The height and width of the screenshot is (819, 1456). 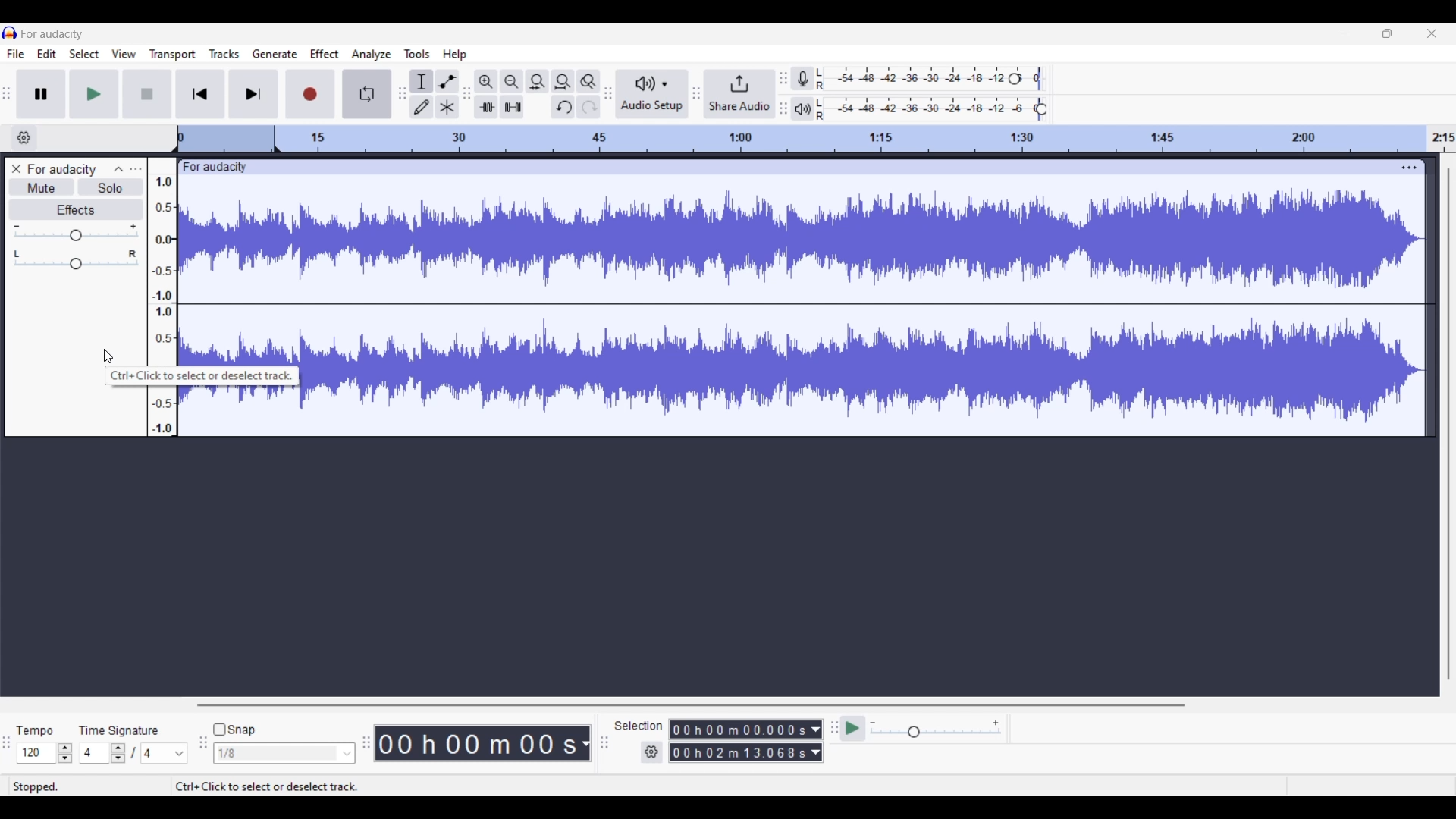 I want to click on Playback level, so click(x=929, y=109).